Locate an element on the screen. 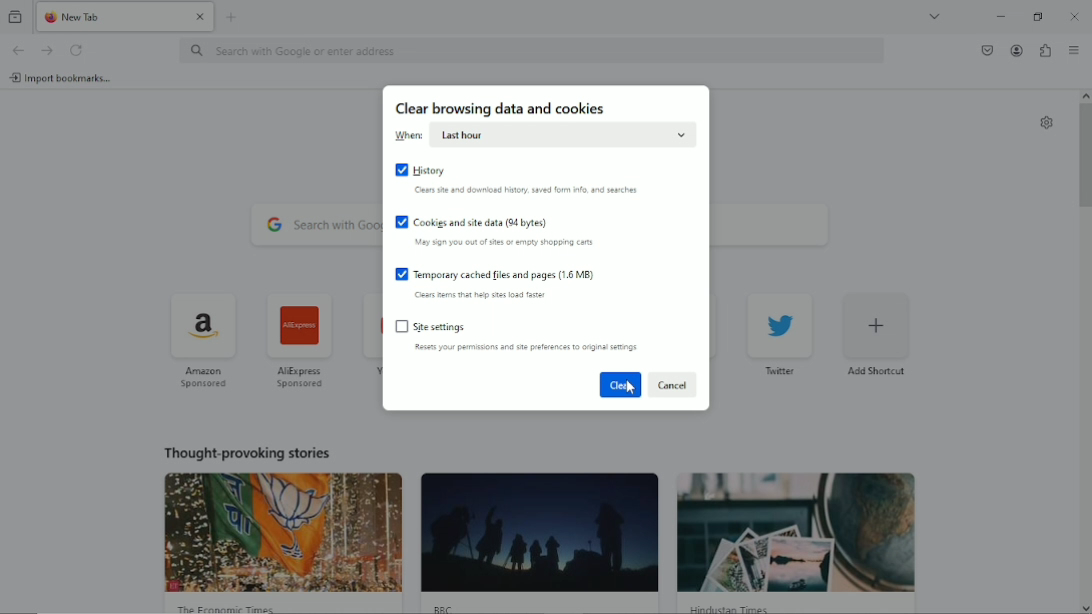 Image resolution: width=1092 pixels, height=614 pixels. scroll down is located at coordinates (1085, 607).